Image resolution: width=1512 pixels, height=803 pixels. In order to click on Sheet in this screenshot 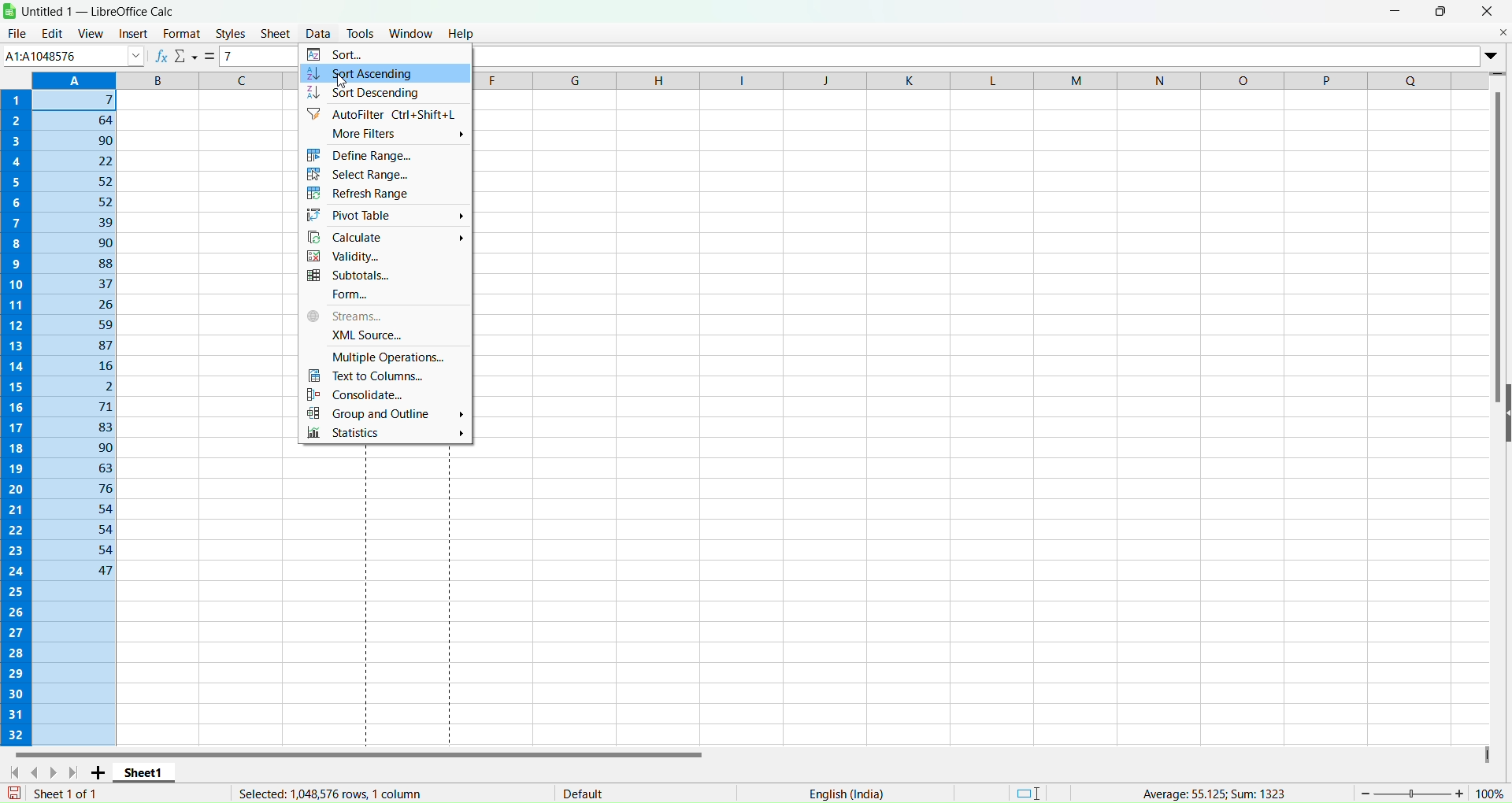, I will do `click(276, 33)`.